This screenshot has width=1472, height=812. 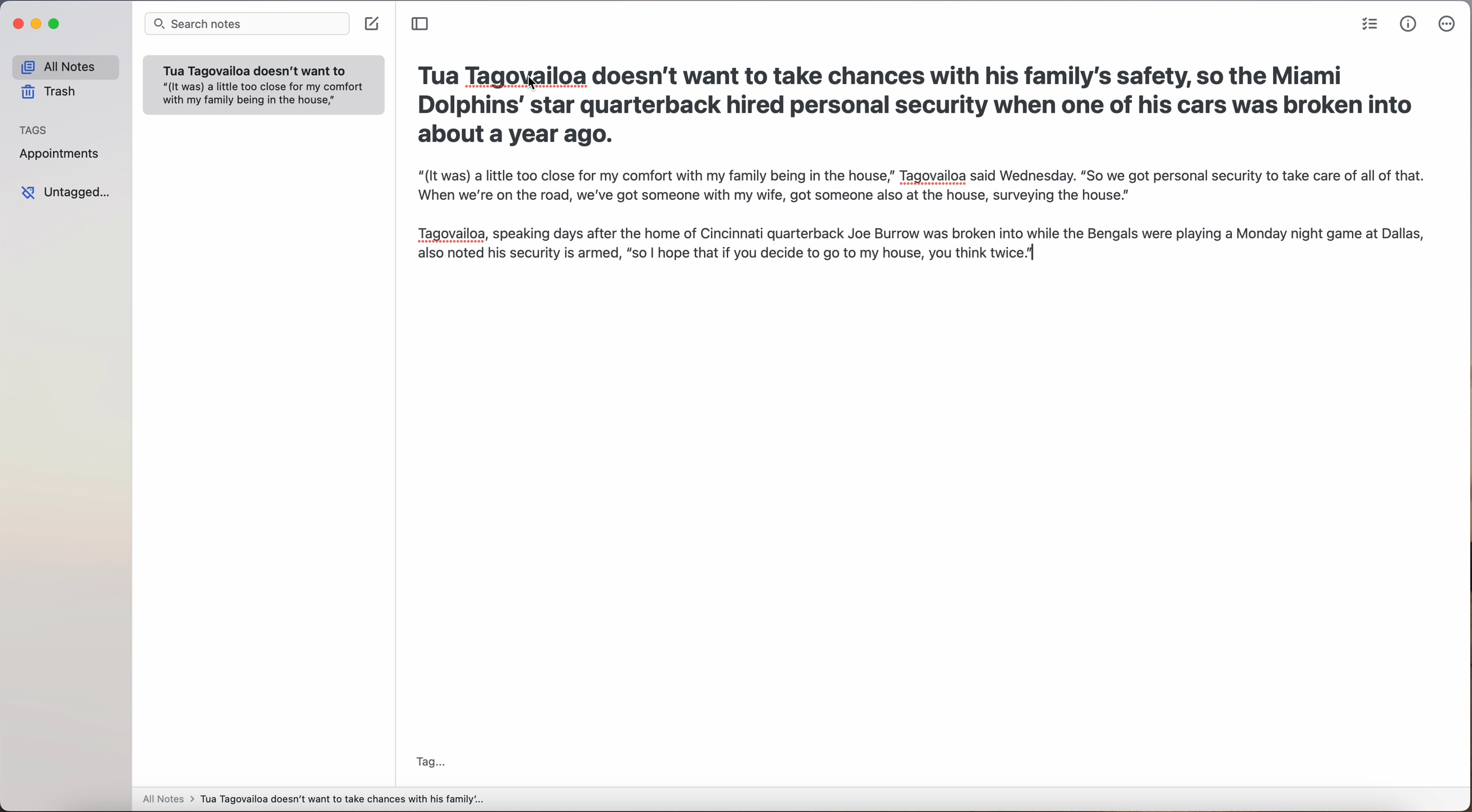 I want to click on create note, so click(x=371, y=25).